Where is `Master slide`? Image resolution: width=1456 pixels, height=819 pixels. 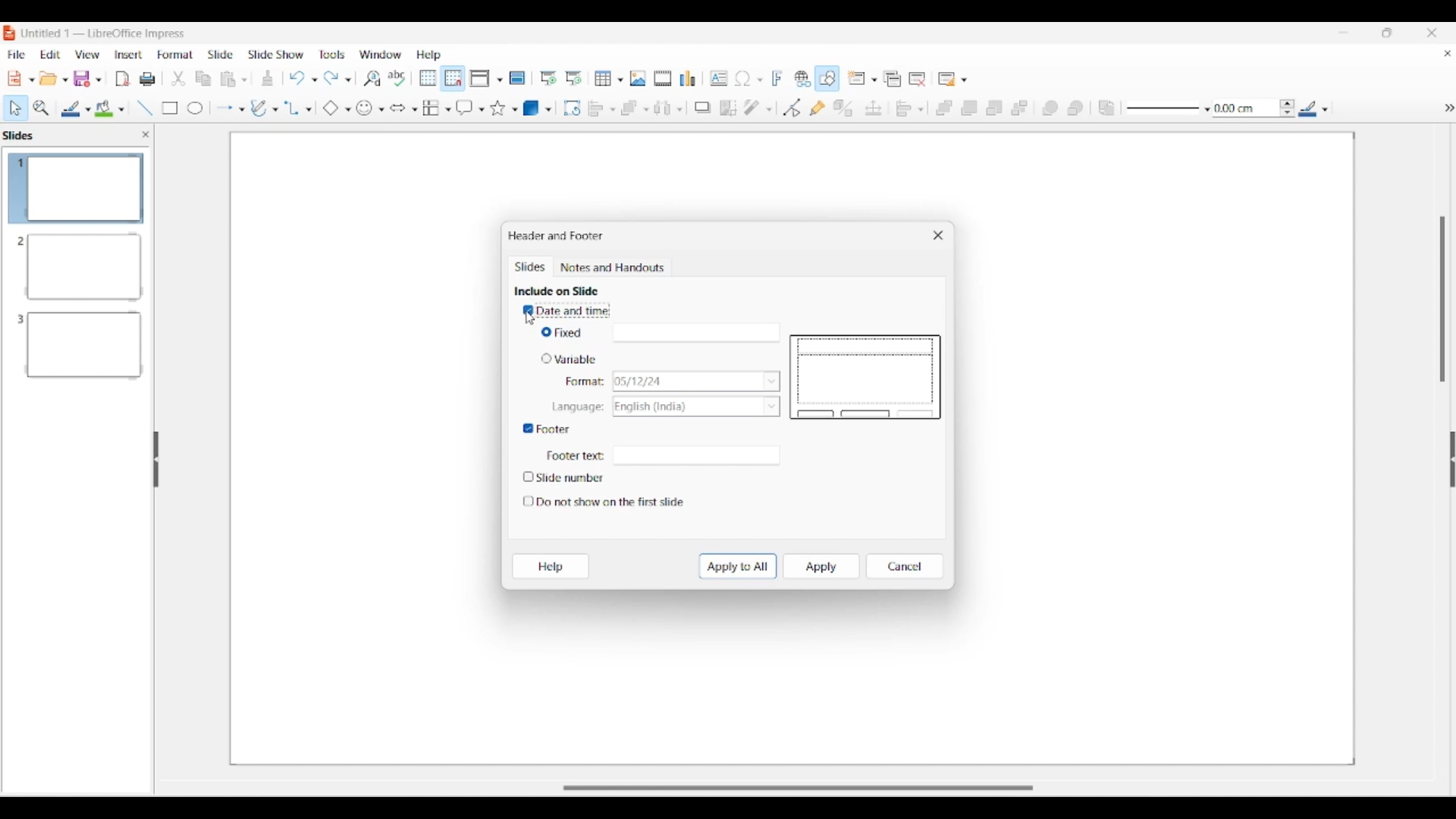
Master slide is located at coordinates (517, 77).